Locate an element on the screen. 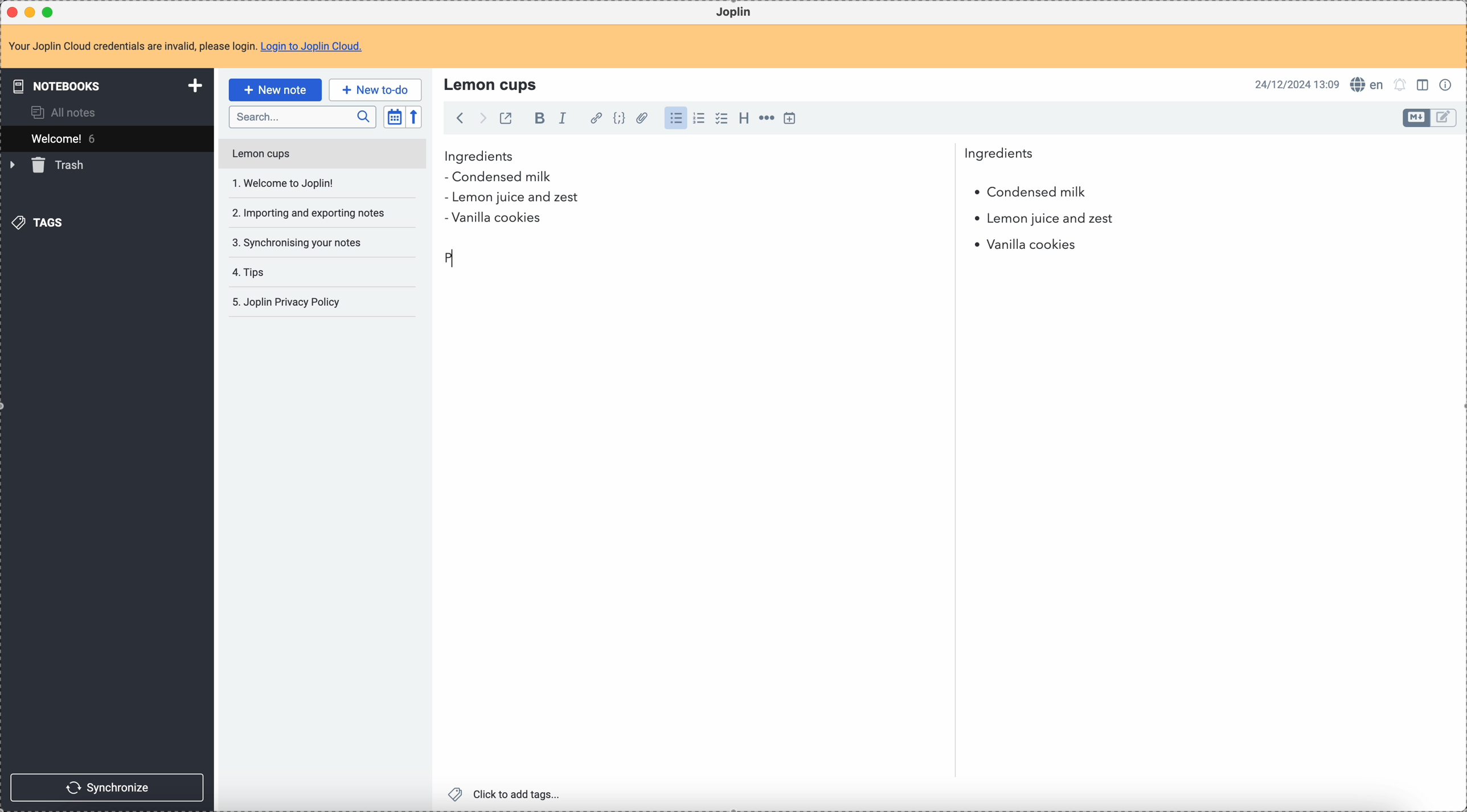 The height and width of the screenshot is (812, 1467). search bar is located at coordinates (302, 117).